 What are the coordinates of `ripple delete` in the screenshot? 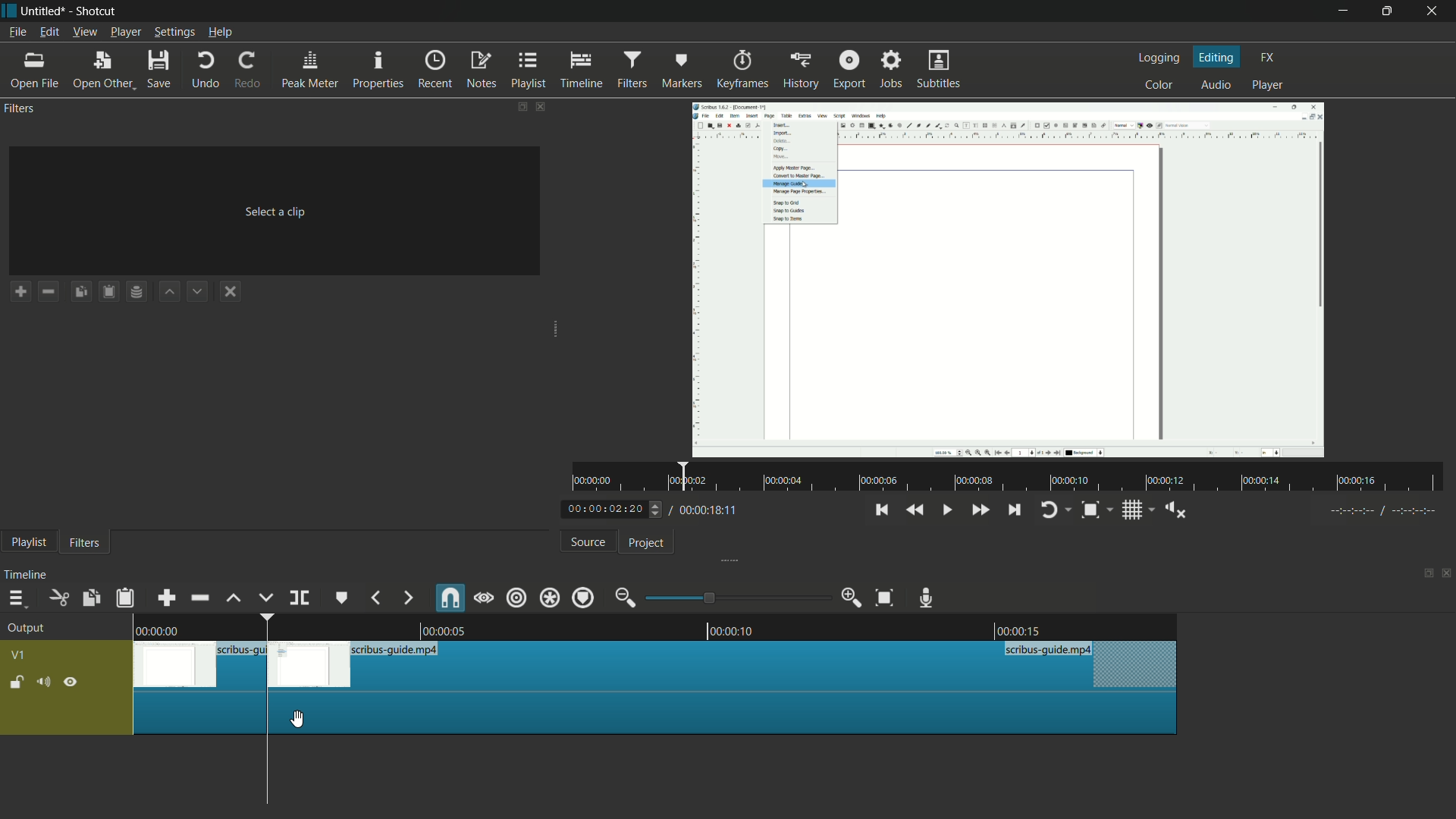 It's located at (199, 598).